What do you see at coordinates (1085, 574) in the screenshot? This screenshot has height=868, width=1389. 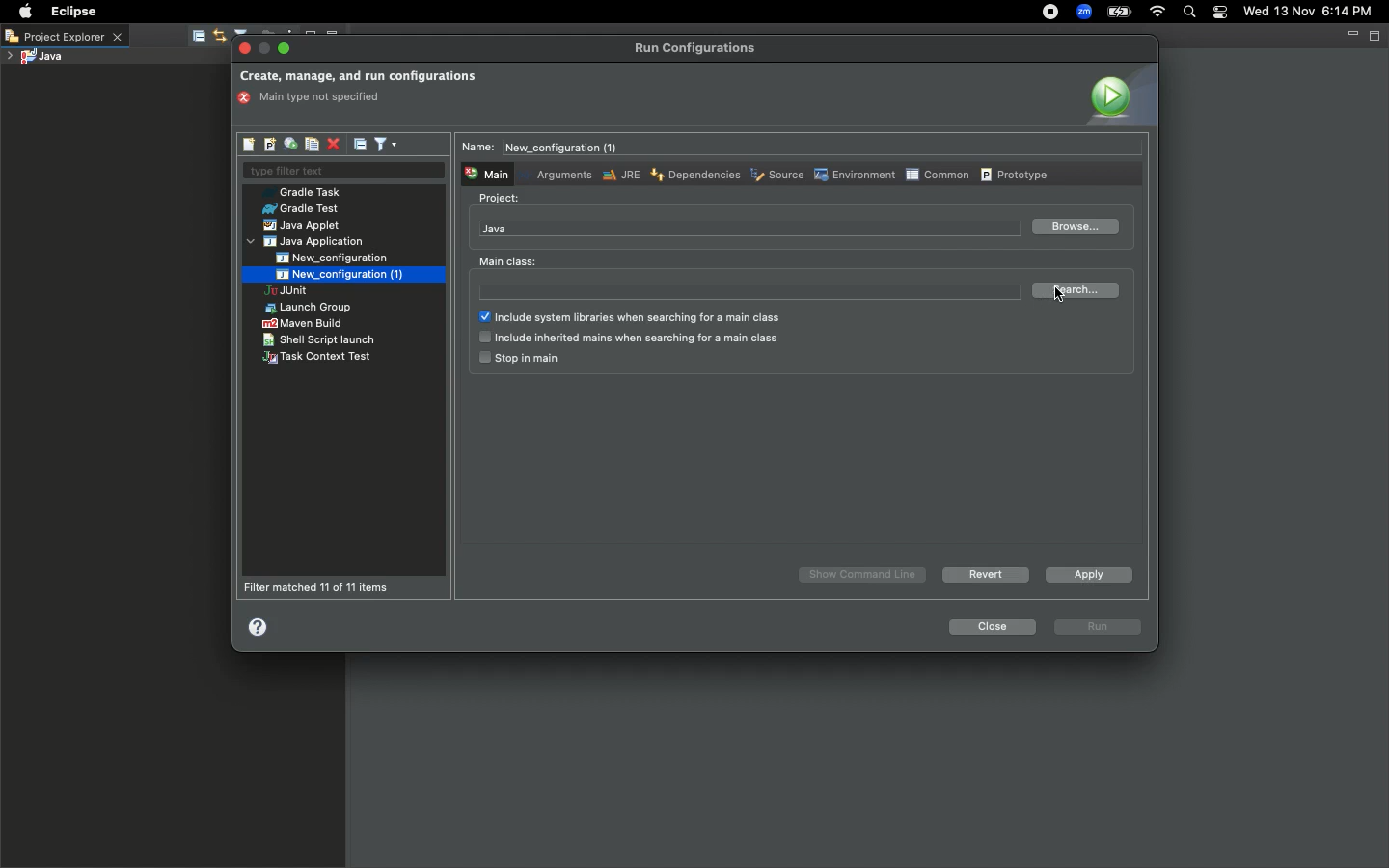 I see `Apply` at bounding box center [1085, 574].